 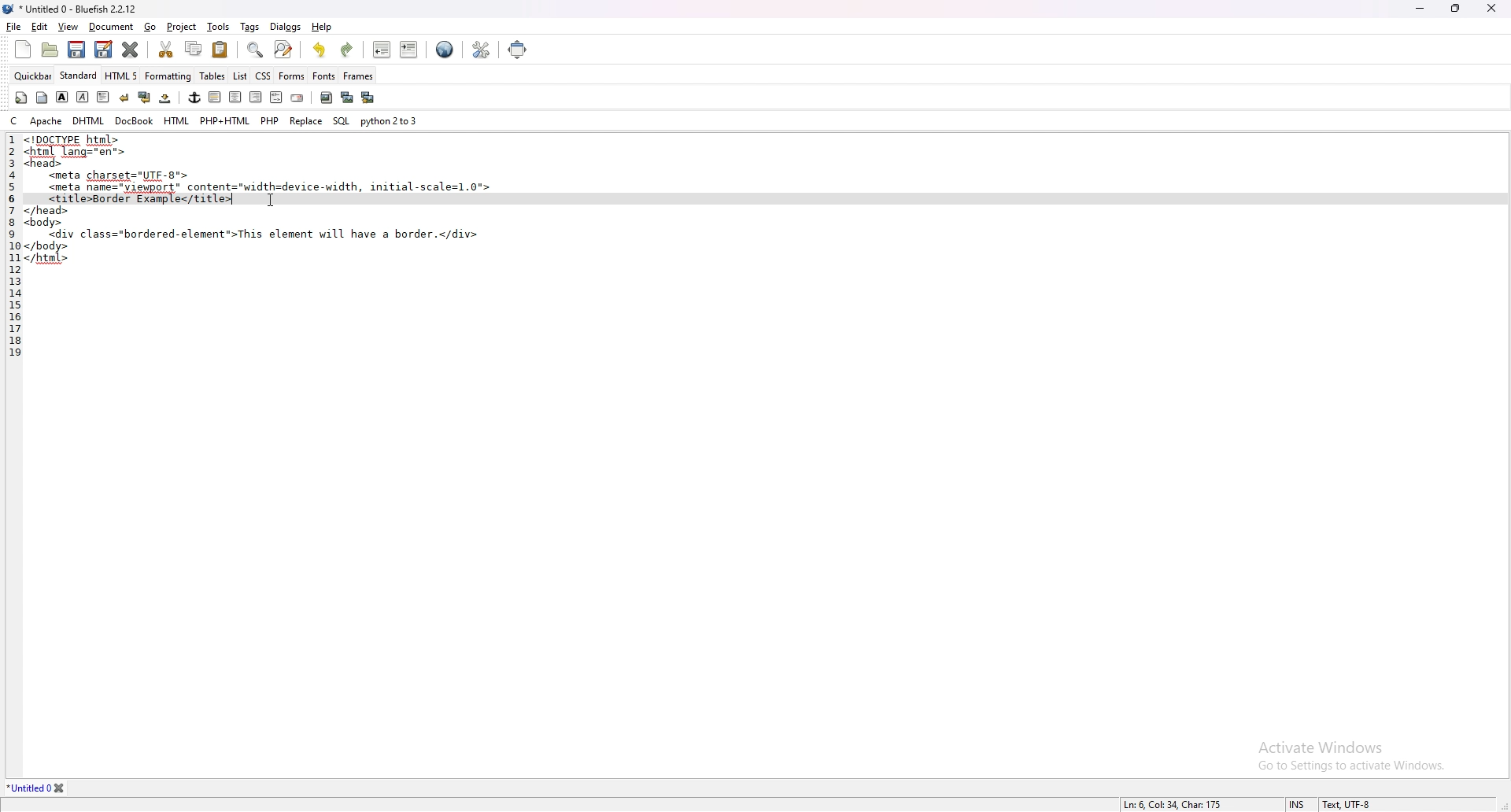 I want to click on Cursor, so click(x=271, y=201).